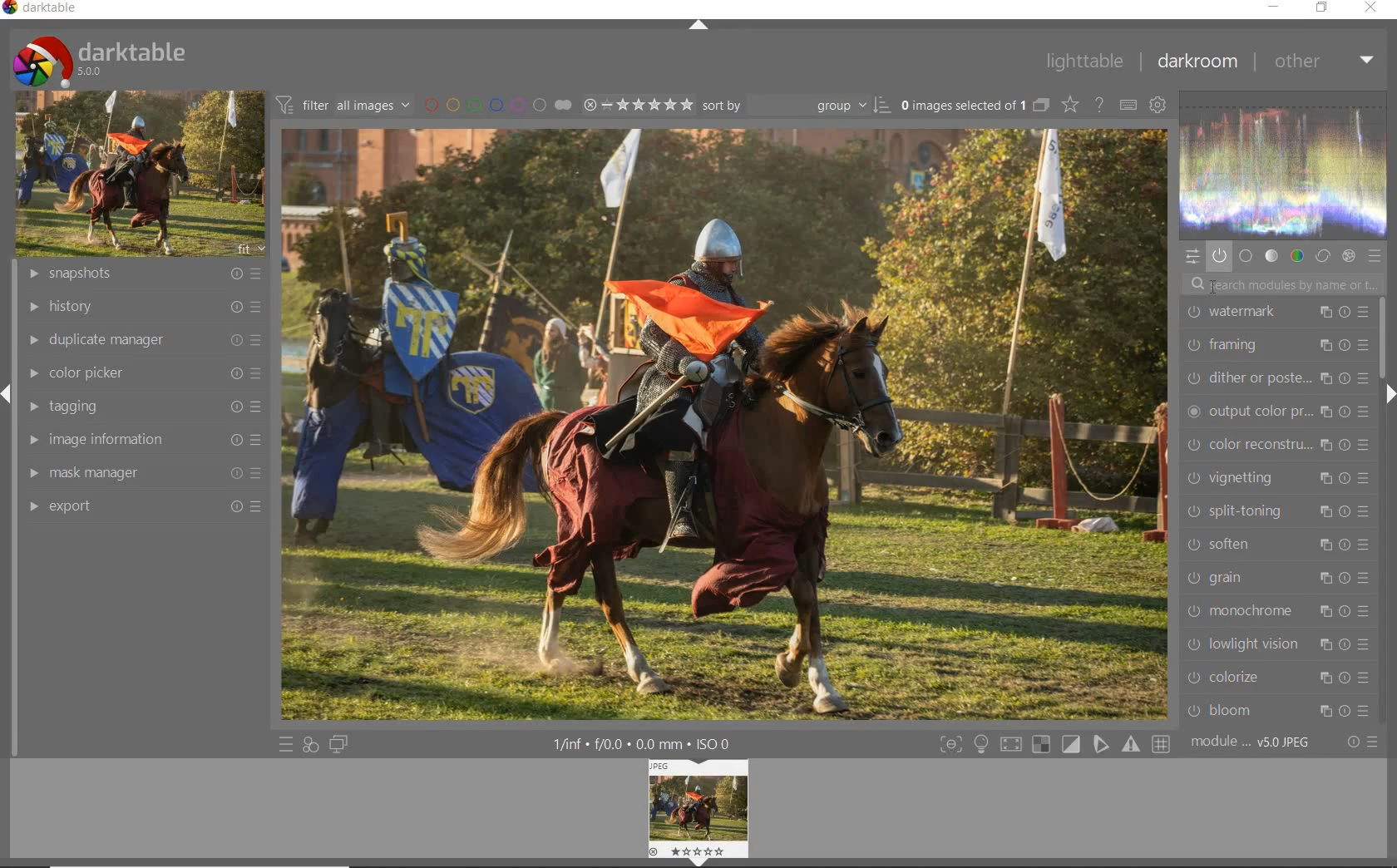  Describe the element at coordinates (1211, 287) in the screenshot. I see `CURSOR` at that location.